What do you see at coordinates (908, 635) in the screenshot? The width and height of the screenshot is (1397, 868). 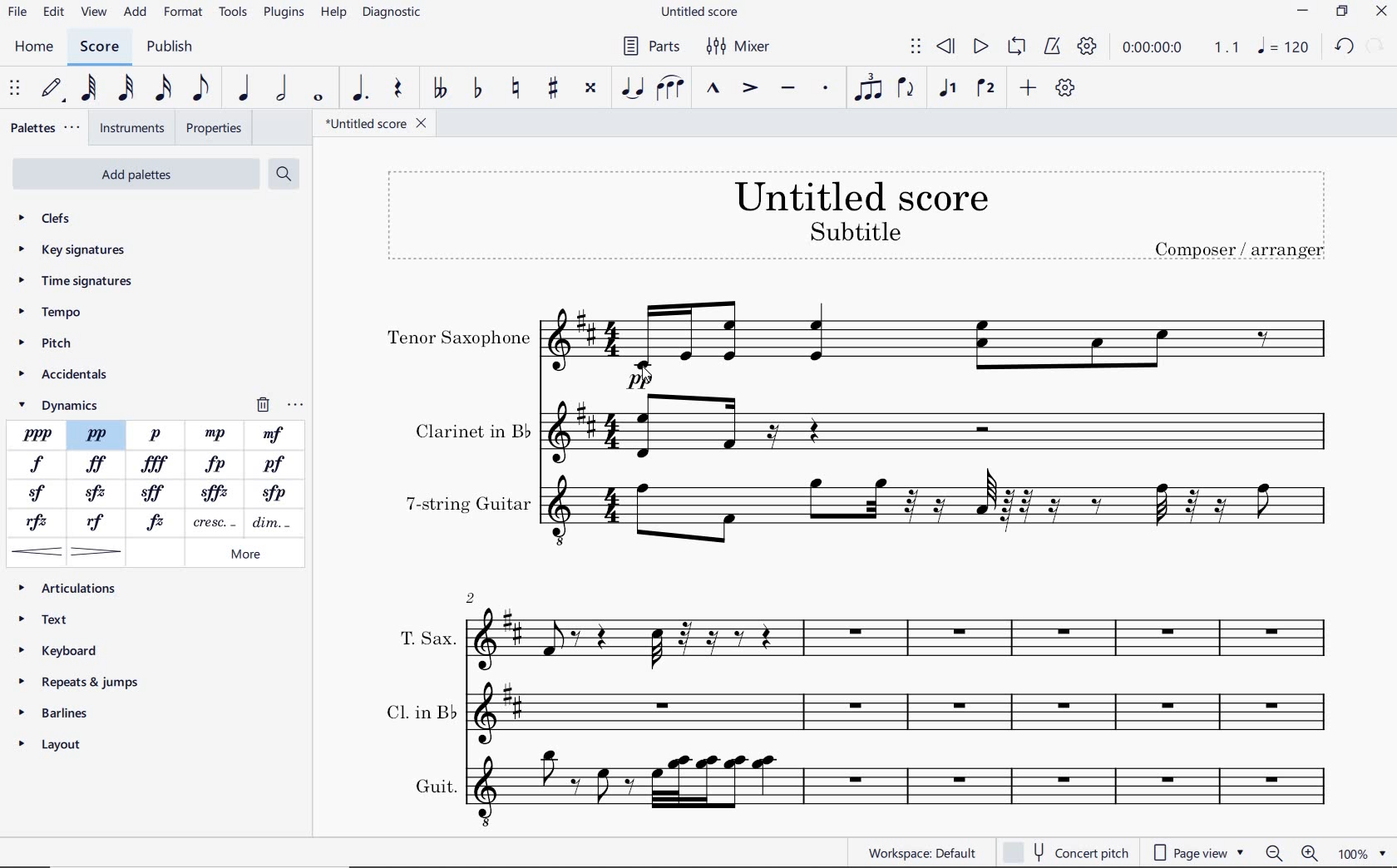 I see `t.sax.` at bounding box center [908, 635].